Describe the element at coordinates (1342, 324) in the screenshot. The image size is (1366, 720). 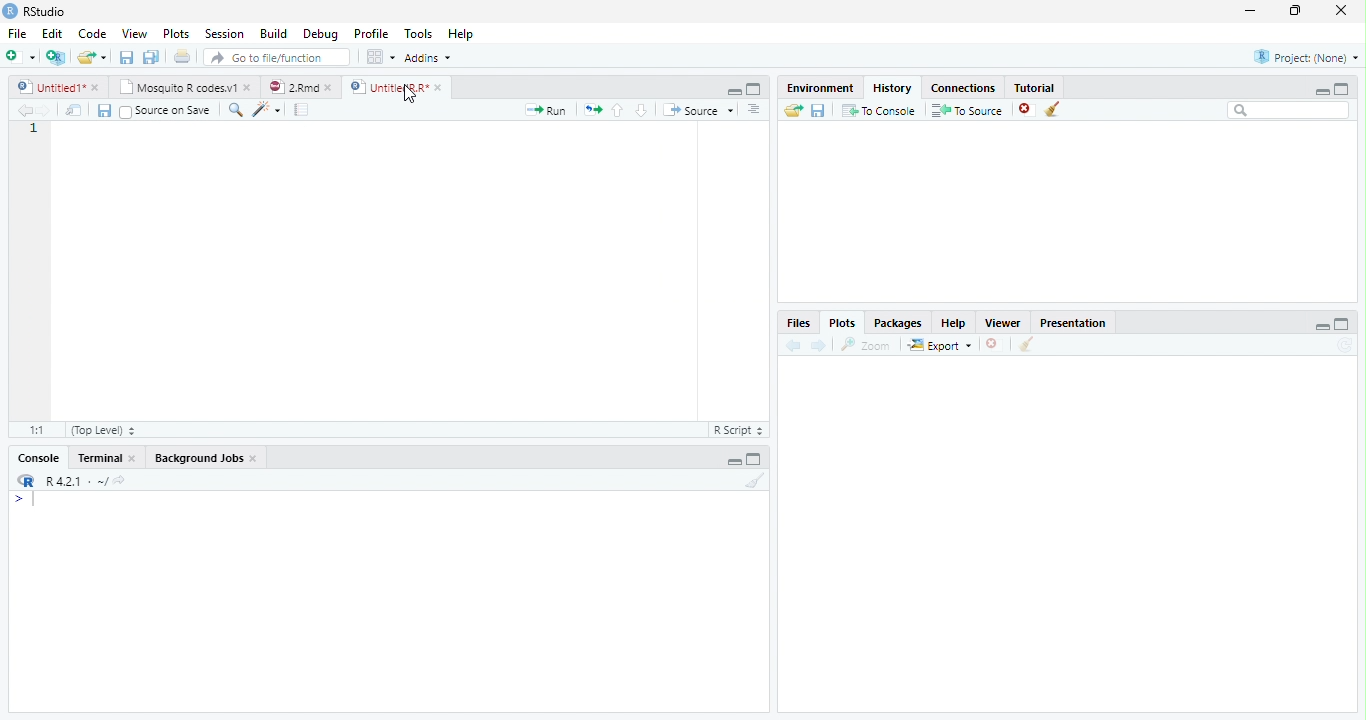
I see `Maximize` at that location.